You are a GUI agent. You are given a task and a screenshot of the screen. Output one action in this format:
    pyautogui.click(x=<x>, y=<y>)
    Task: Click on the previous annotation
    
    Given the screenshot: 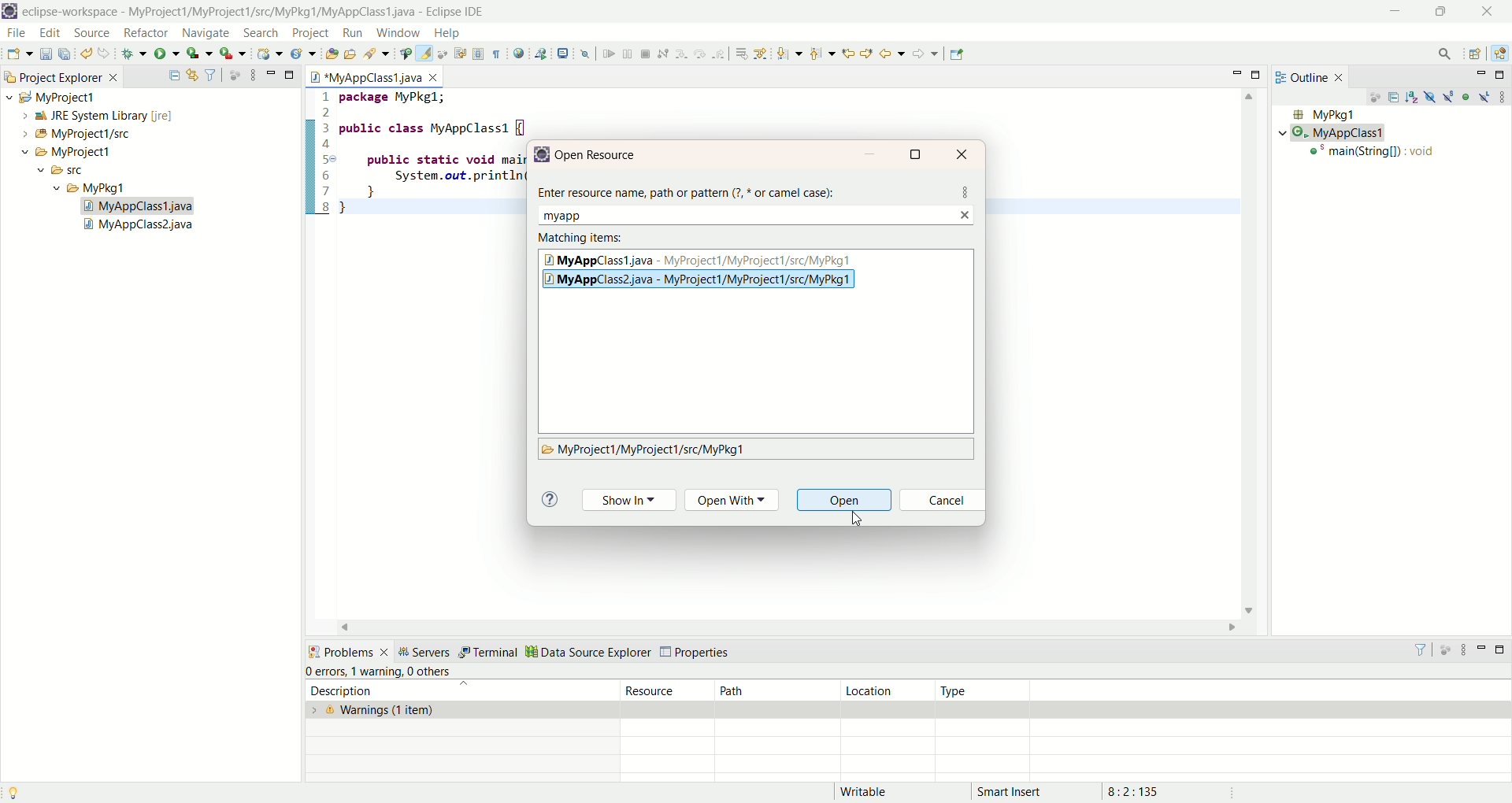 What is the action you would take?
    pyautogui.click(x=822, y=54)
    